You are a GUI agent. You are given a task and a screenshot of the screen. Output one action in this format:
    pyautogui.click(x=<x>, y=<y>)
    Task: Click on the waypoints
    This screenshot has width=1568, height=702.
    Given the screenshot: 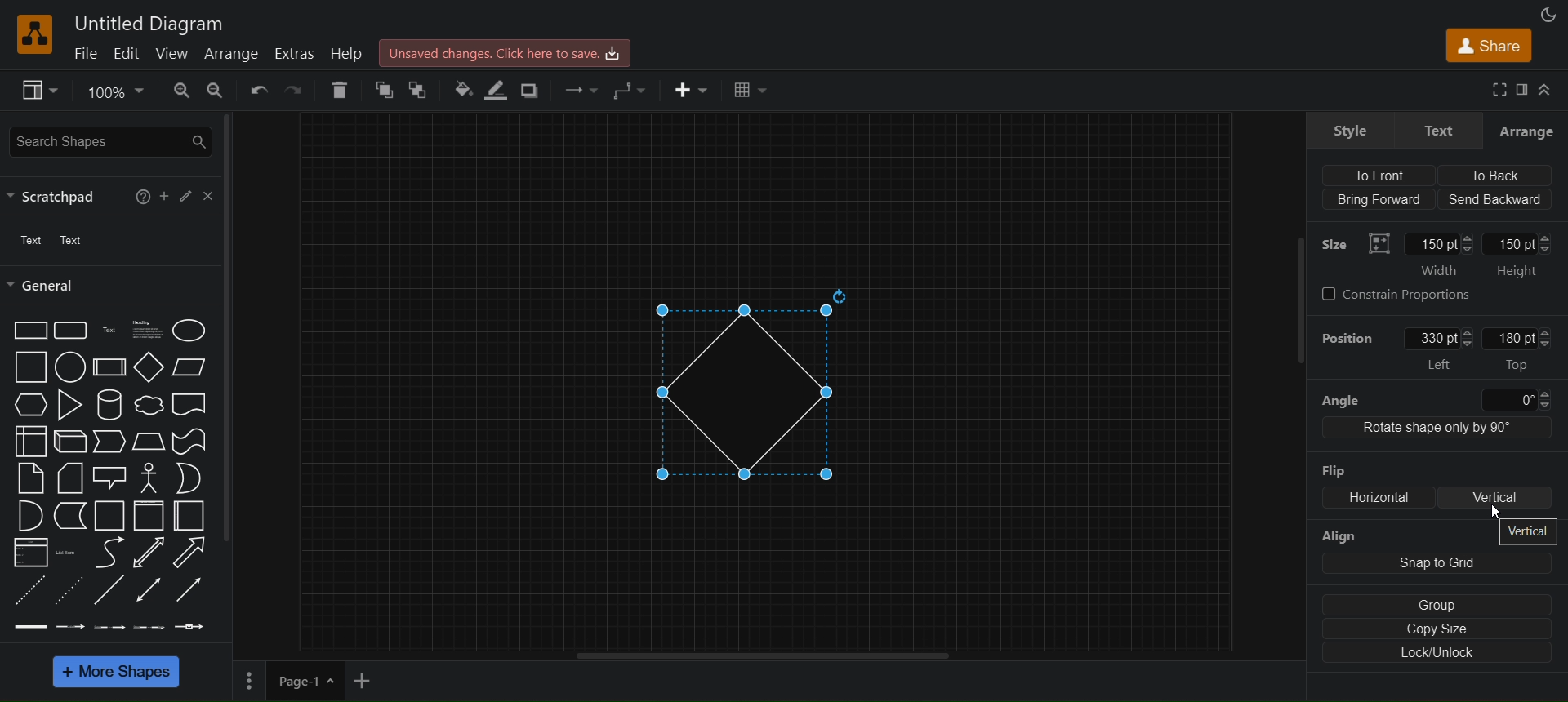 What is the action you would take?
    pyautogui.click(x=633, y=90)
    